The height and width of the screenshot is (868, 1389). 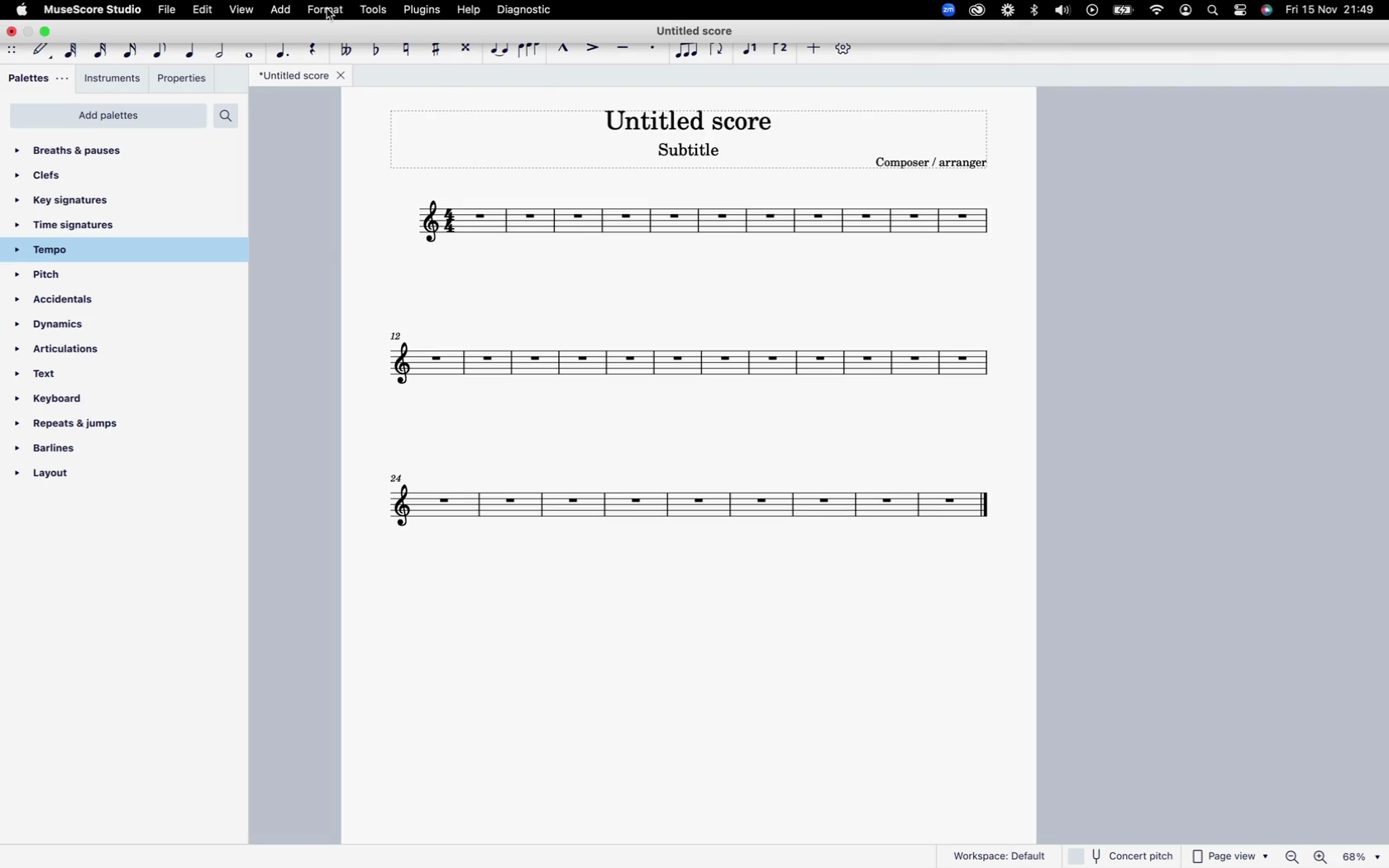 What do you see at coordinates (500, 50) in the screenshot?
I see `tie` at bounding box center [500, 50].